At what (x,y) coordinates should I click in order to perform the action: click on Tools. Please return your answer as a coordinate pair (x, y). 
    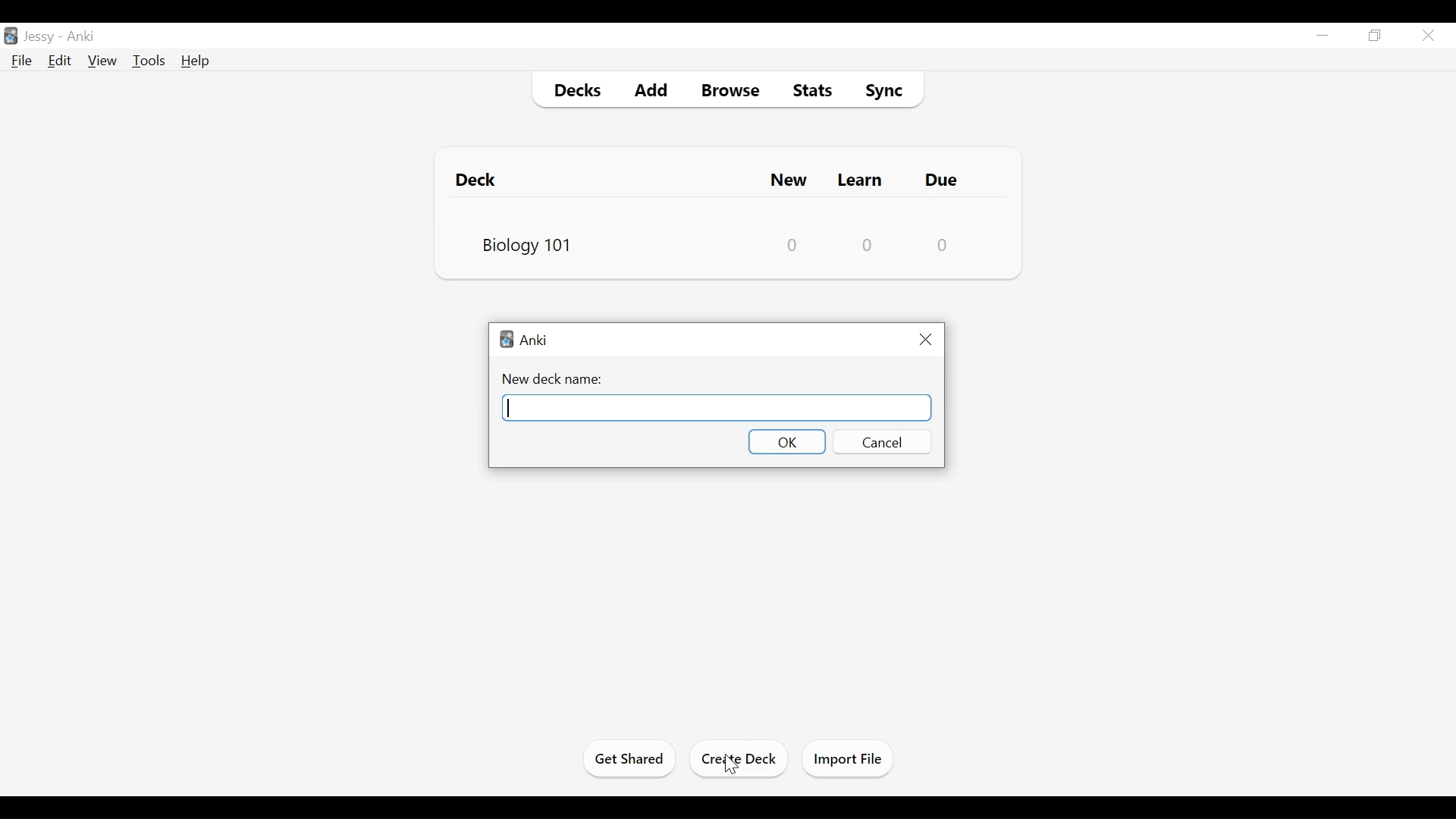
    Looking at the image, I should click on (149, 61).